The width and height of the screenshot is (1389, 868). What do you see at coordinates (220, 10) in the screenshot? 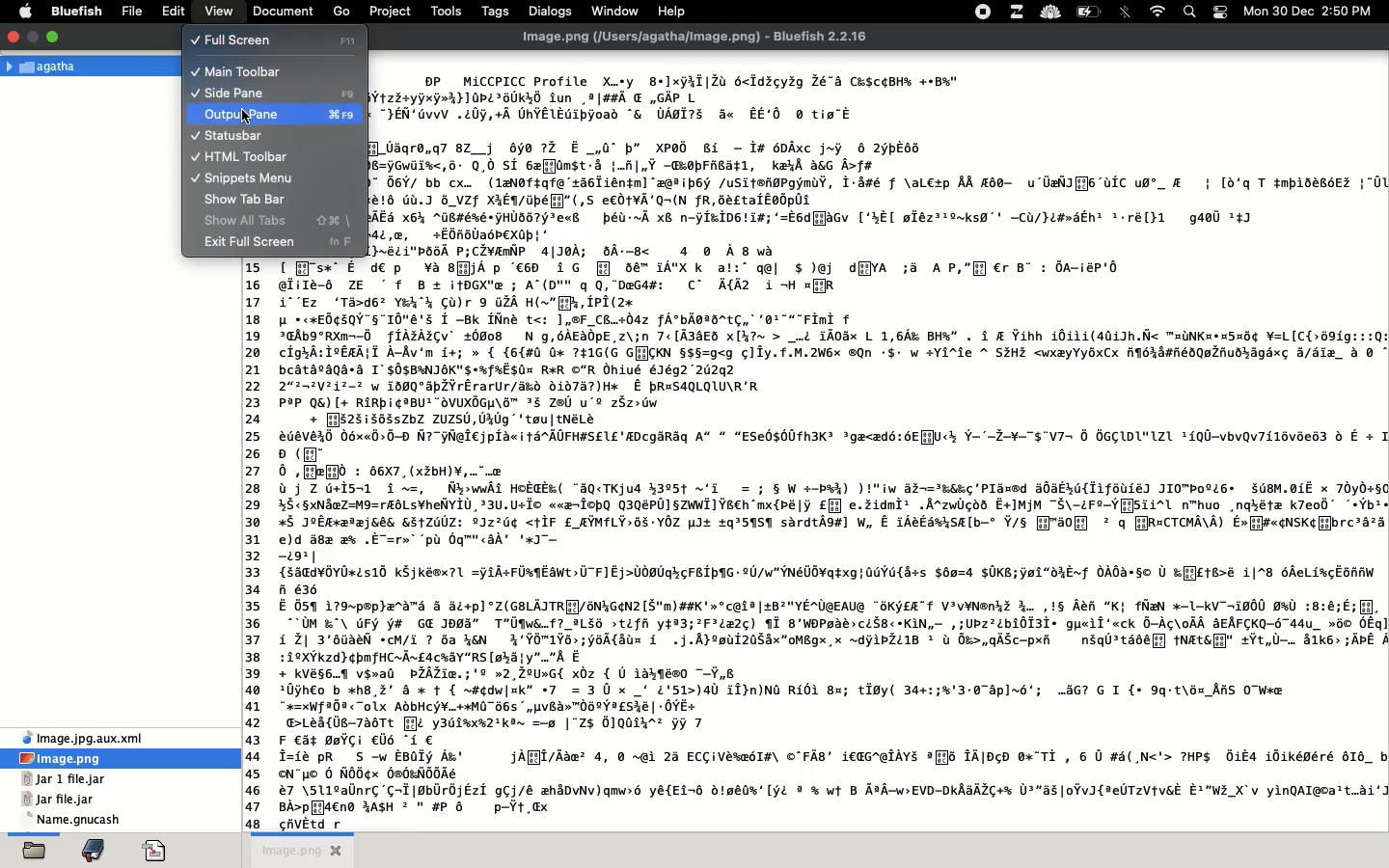
I see `view` at bounding box center [220, 10].